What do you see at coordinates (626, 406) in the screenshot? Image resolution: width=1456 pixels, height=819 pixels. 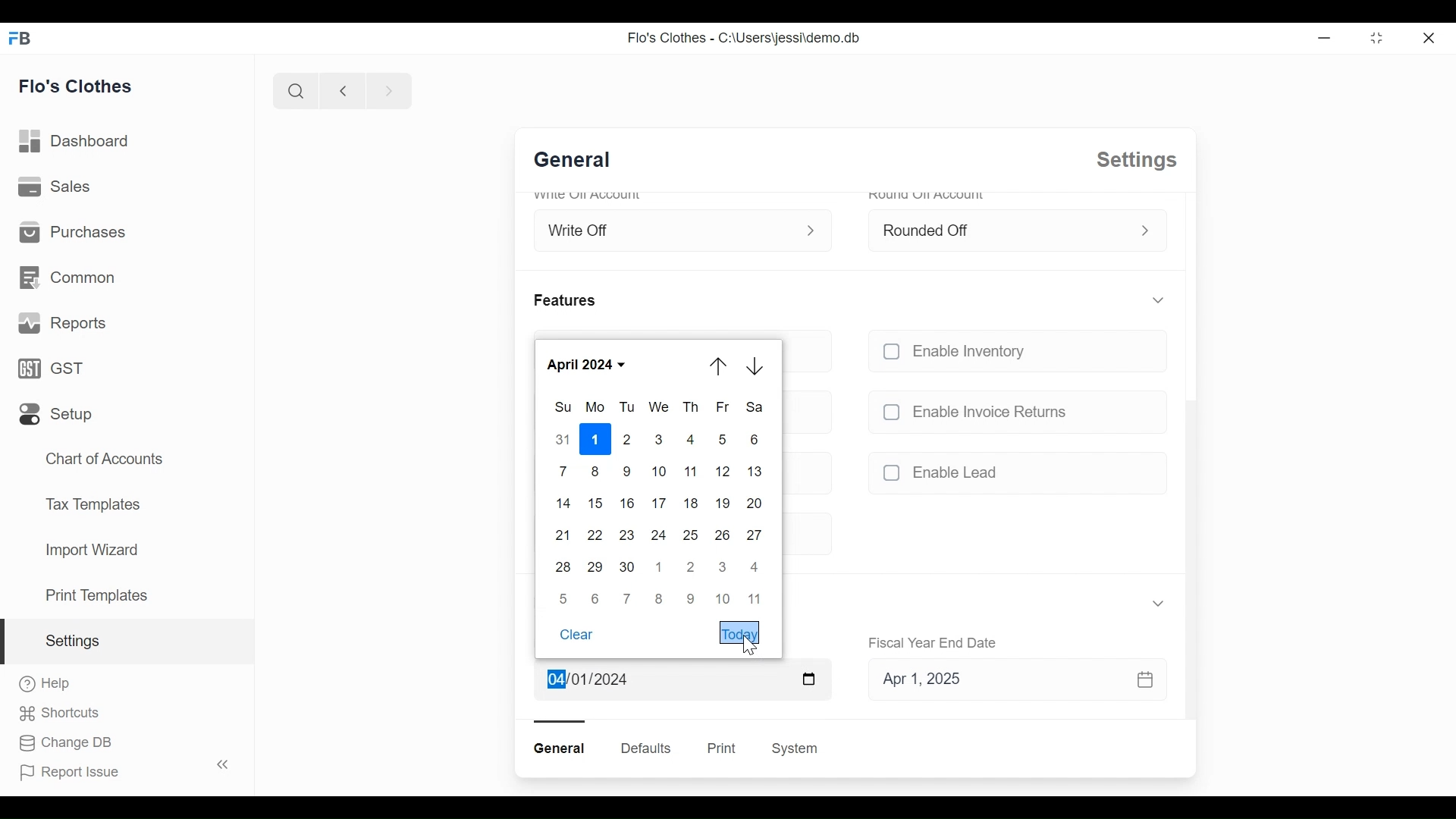 I see `Tu` at bounding box center [626, 406].